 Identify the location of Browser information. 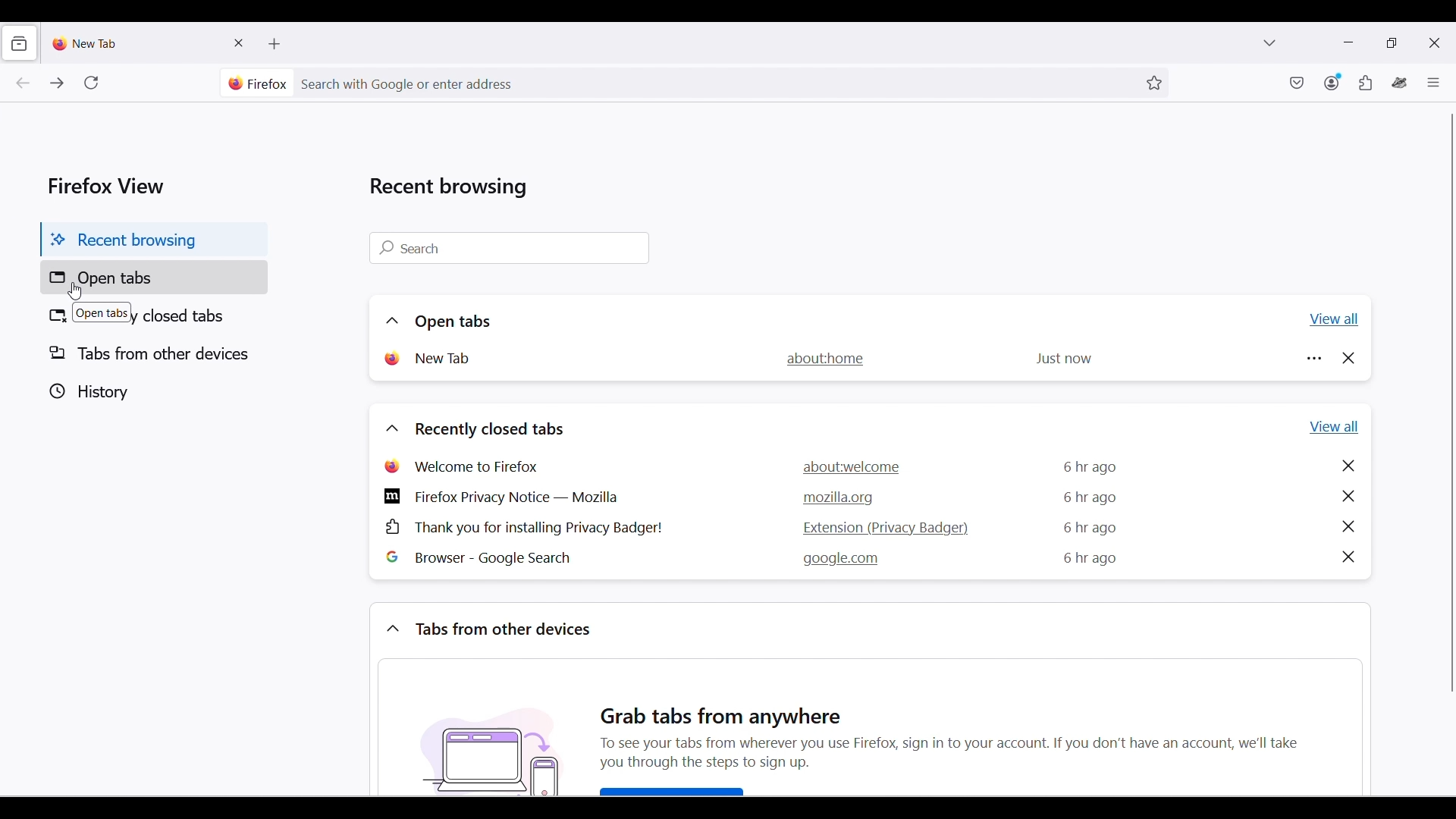
(258, 83).